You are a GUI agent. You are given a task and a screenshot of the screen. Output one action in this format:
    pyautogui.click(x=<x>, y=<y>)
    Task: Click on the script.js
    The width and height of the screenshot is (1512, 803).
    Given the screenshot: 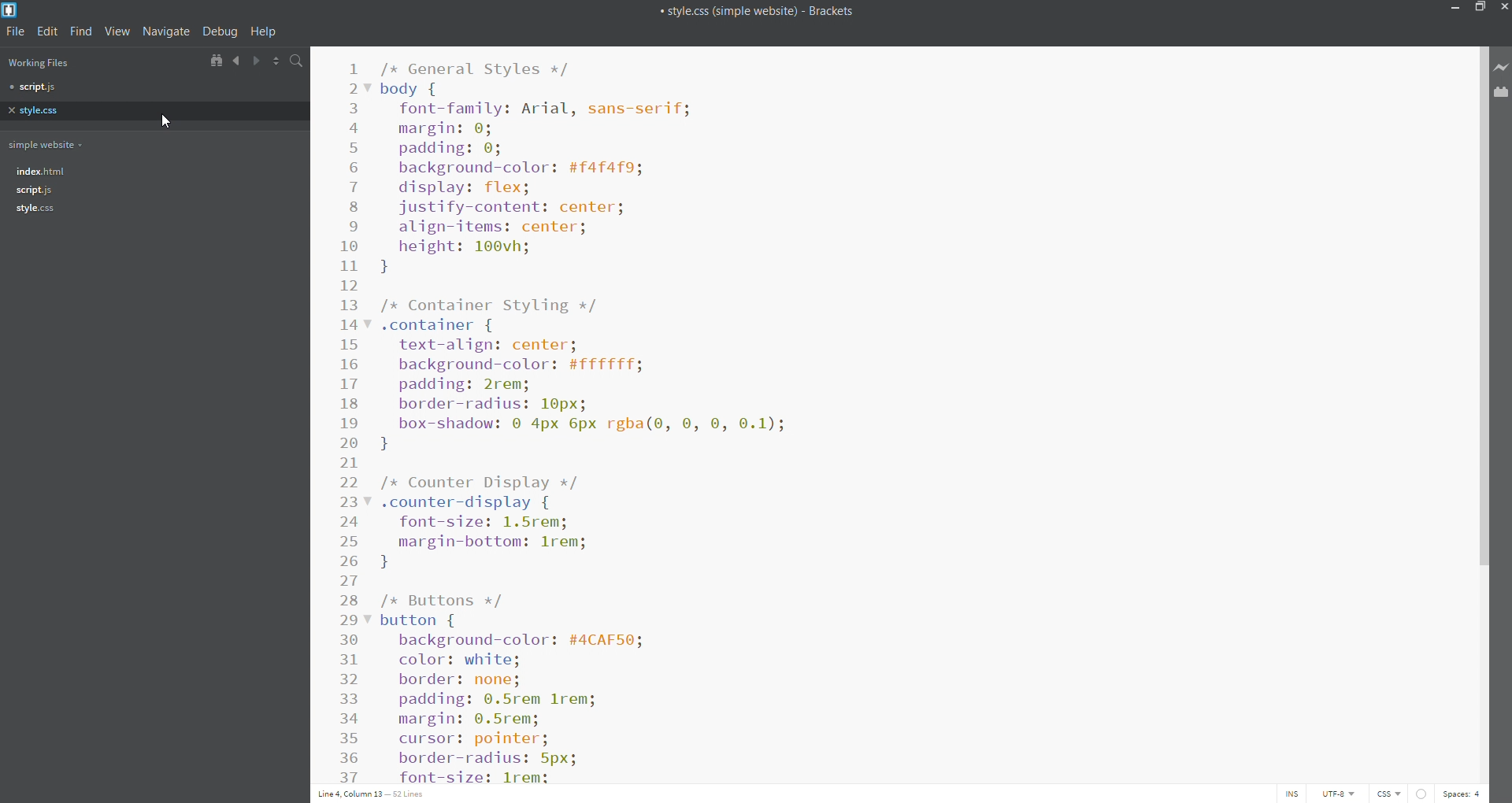 What is the action you would take?
    pyautogui.click(x=154, y=87)
    